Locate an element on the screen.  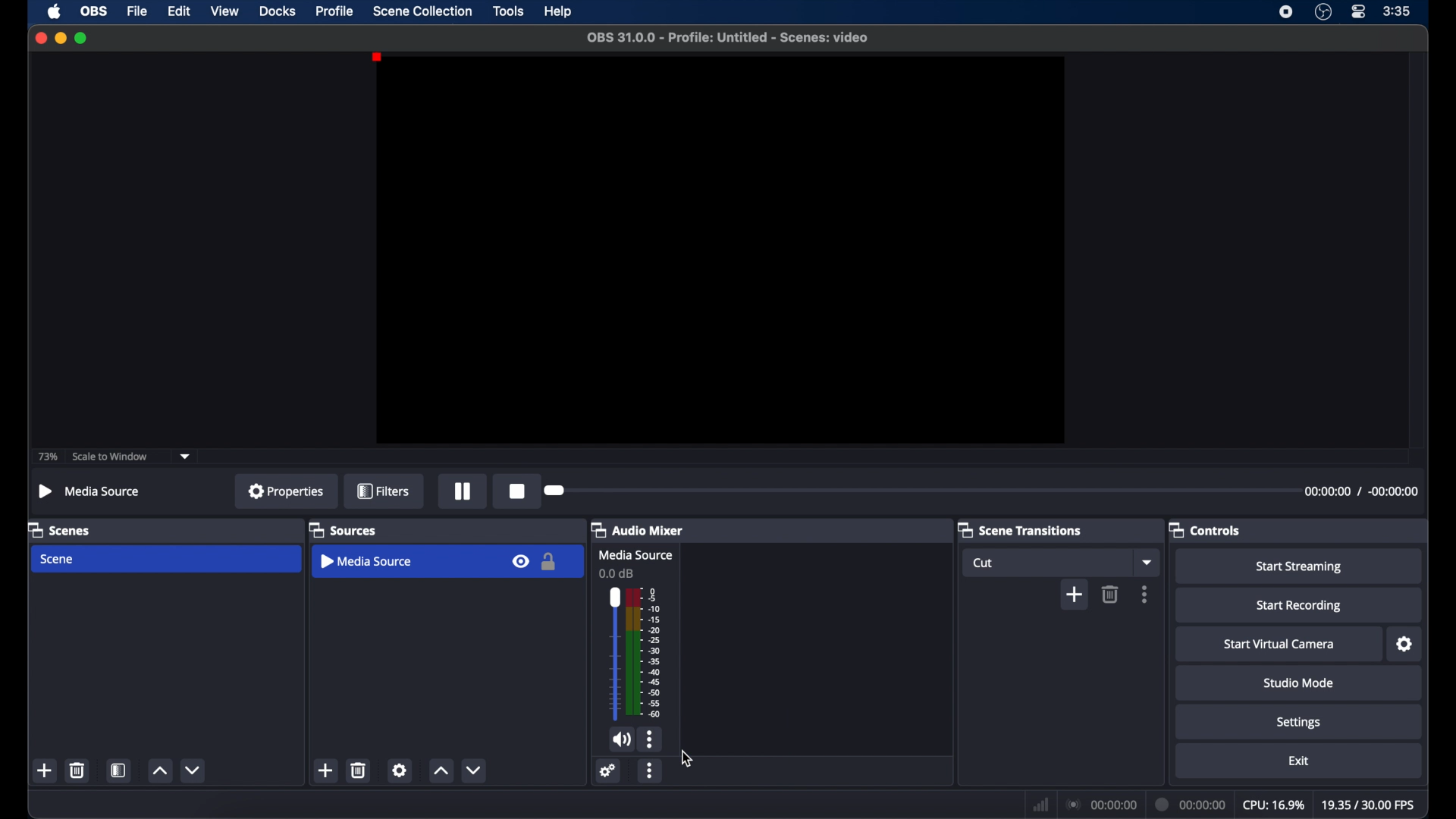
time duration is located at coordinates (1360, 493).